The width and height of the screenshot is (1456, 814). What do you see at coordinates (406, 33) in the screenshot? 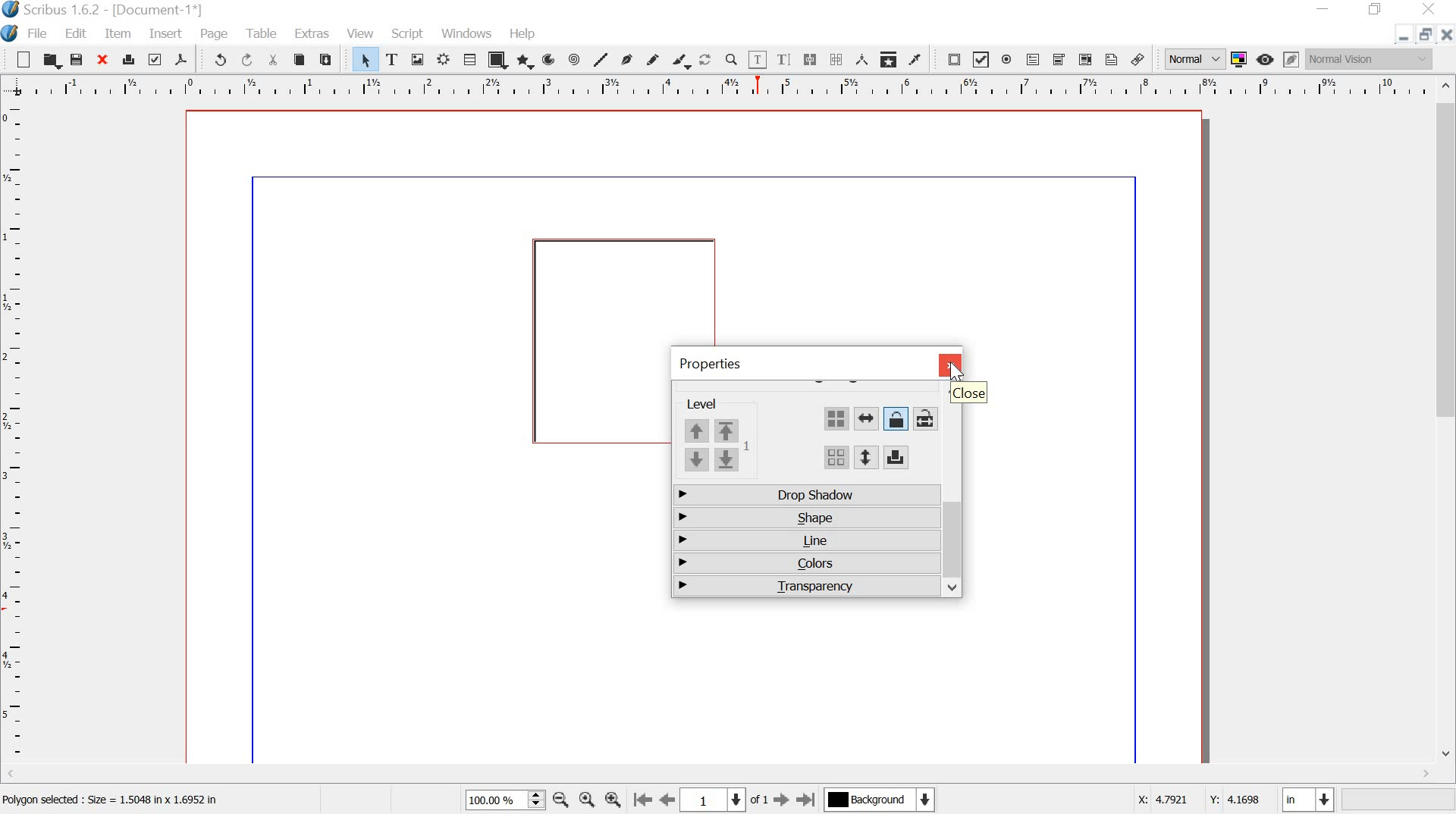
I see `script` at bounding box center [406, 33].